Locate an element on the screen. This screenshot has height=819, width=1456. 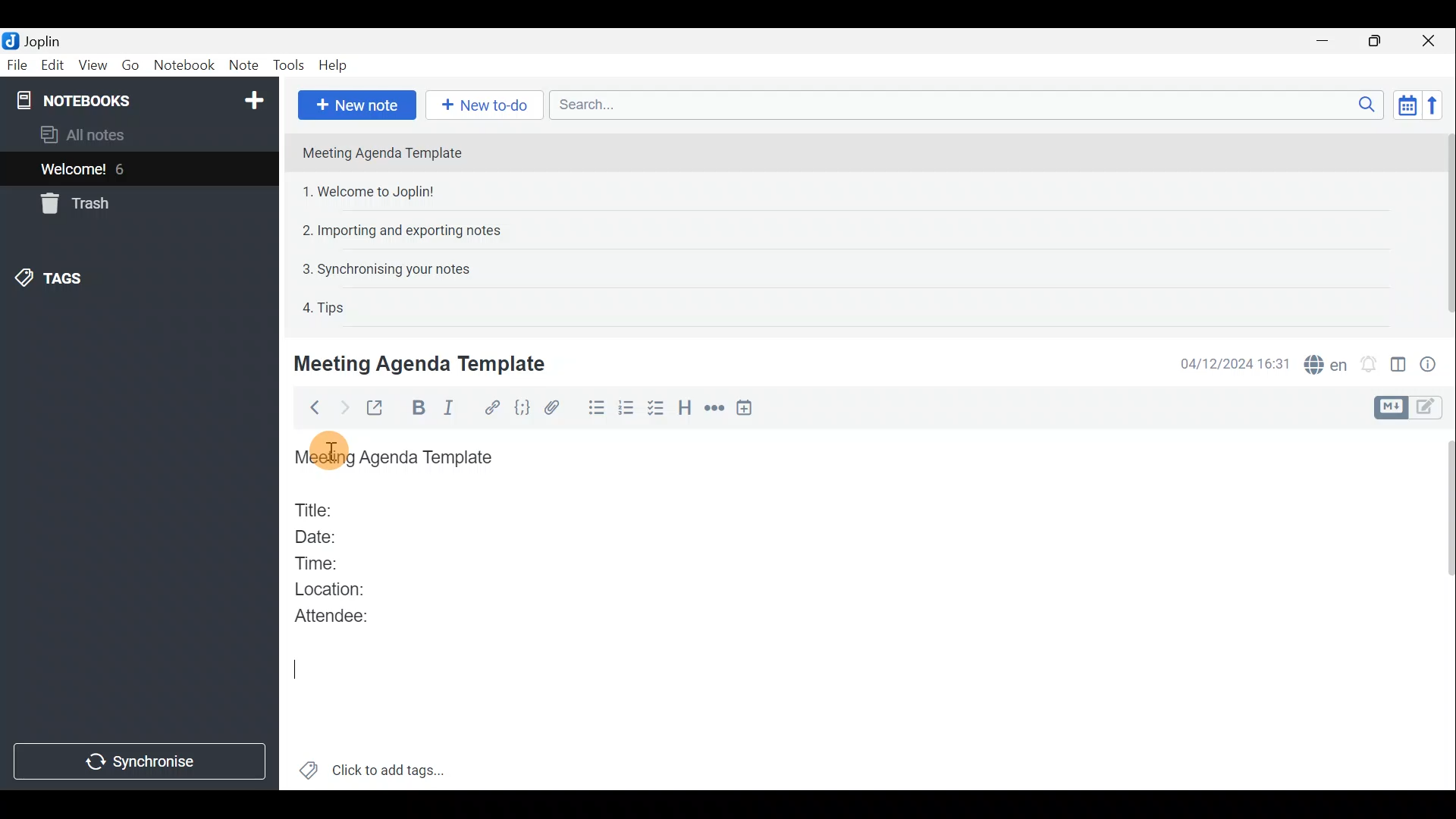
Trash is located at coordinates (72, 203).